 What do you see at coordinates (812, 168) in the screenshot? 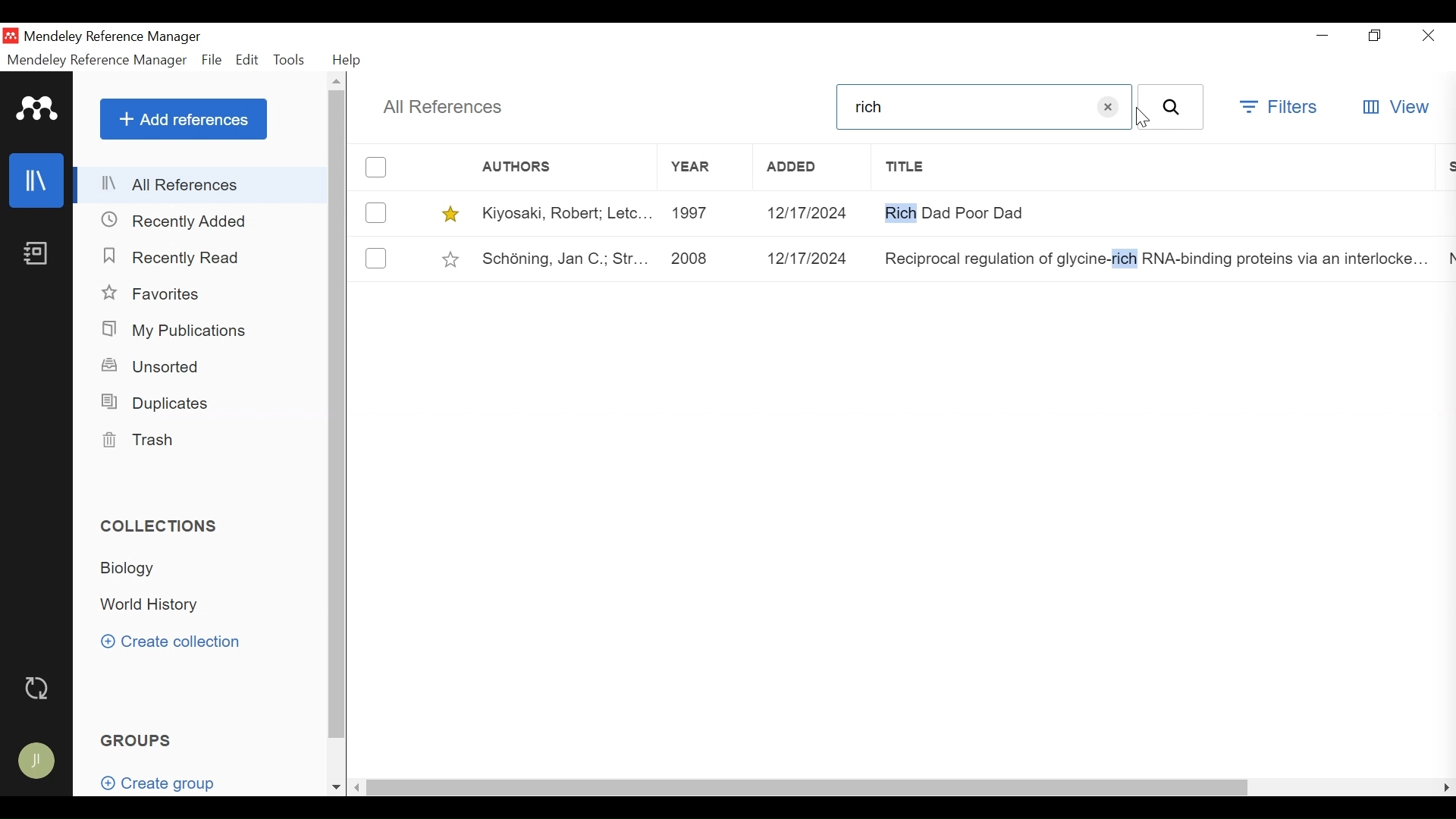
I see `Added` at bounding box center [812, 168].